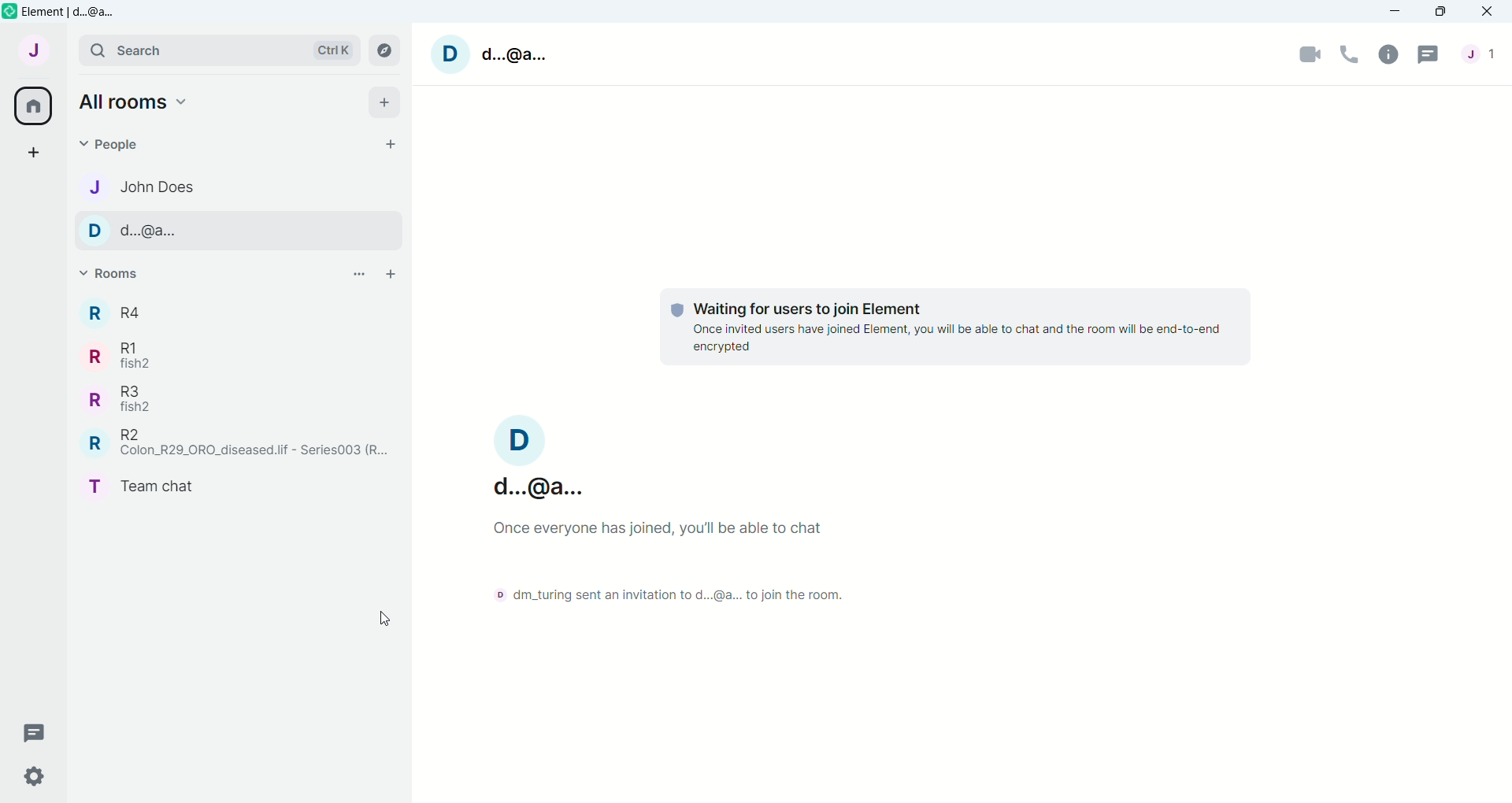 This screenshot has width=1512, height=803. I want to click on Close, so click(1488, 11).